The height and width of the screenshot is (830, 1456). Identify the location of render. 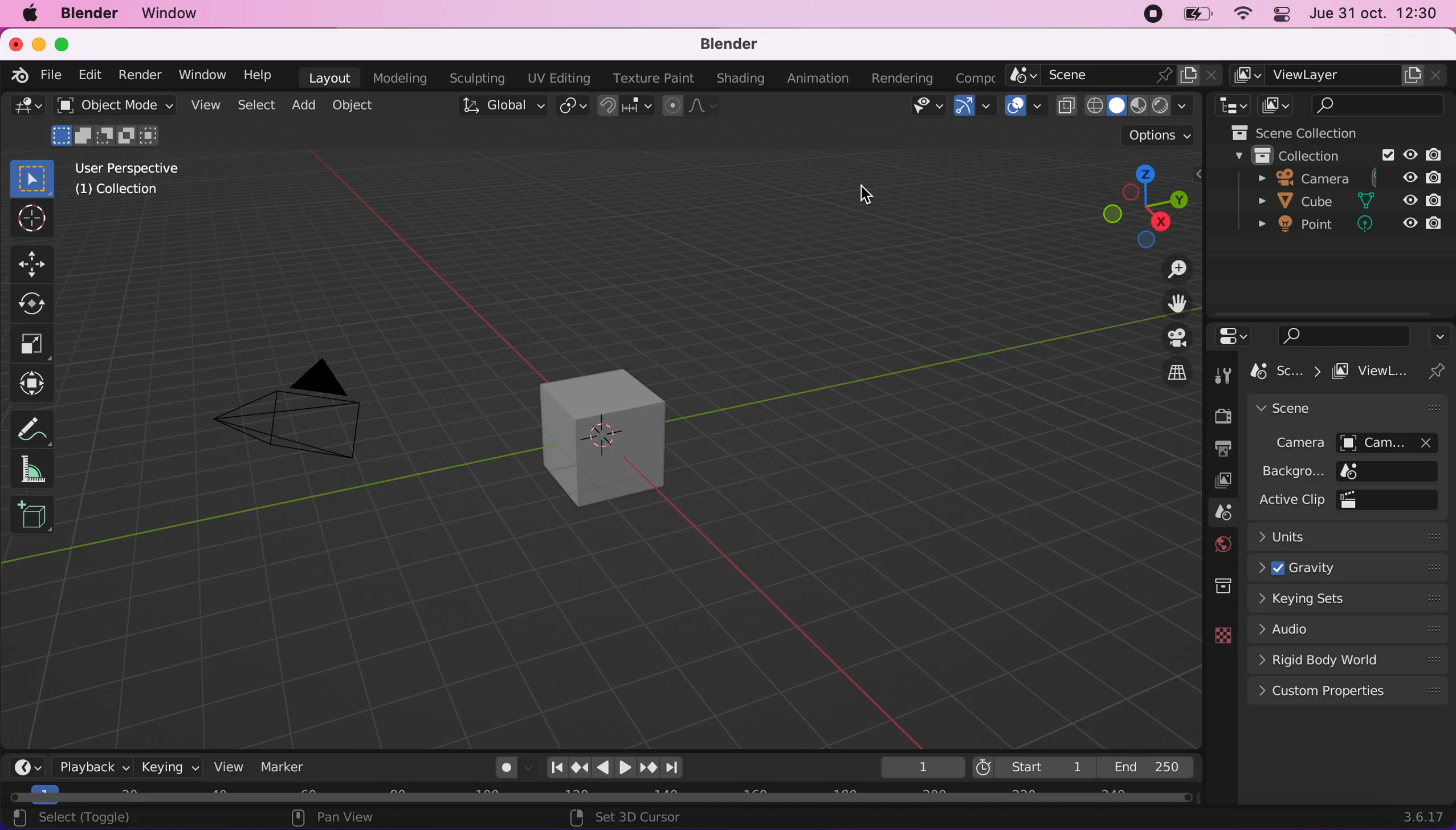
(1218, 415).